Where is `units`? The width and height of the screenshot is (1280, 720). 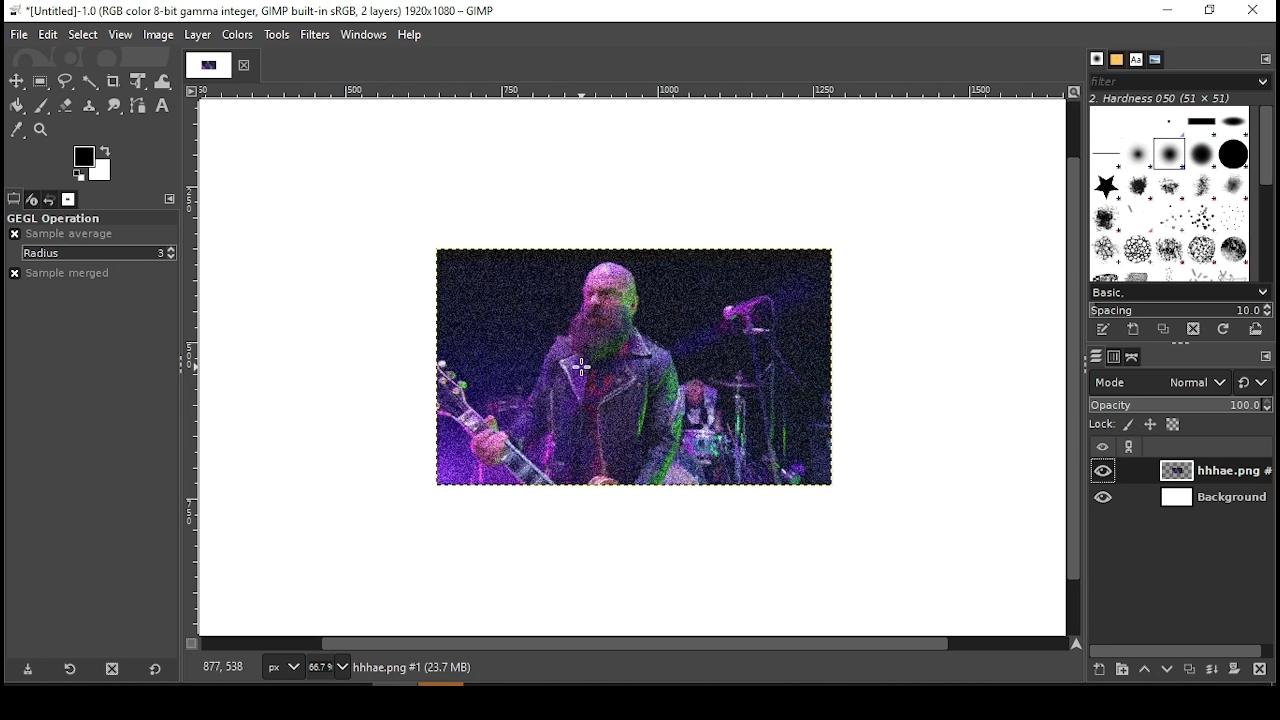
units is located at coordinates (282, 667).